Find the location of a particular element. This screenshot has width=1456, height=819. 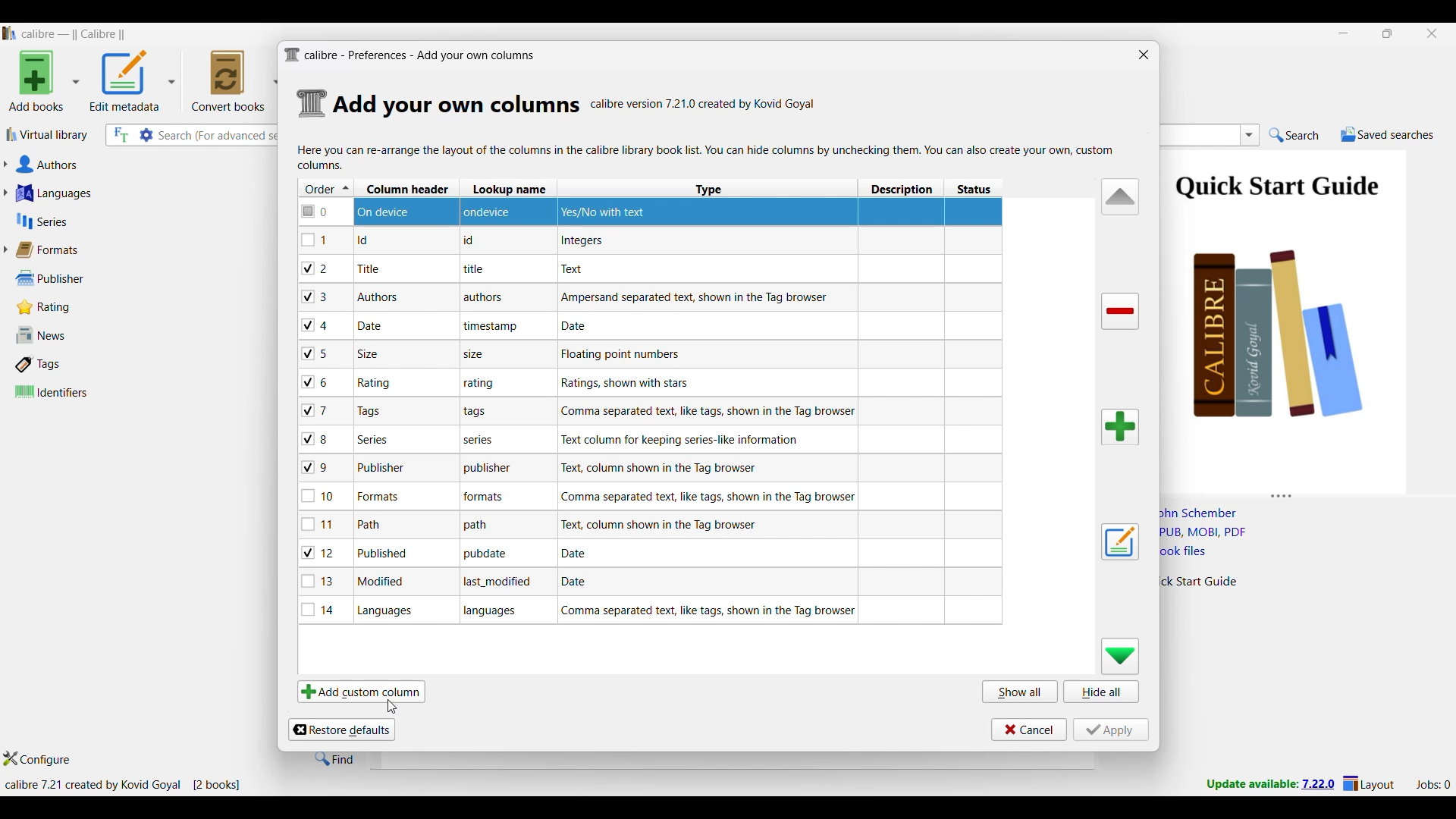

Lookup name column is located at coordinates (507, 187).